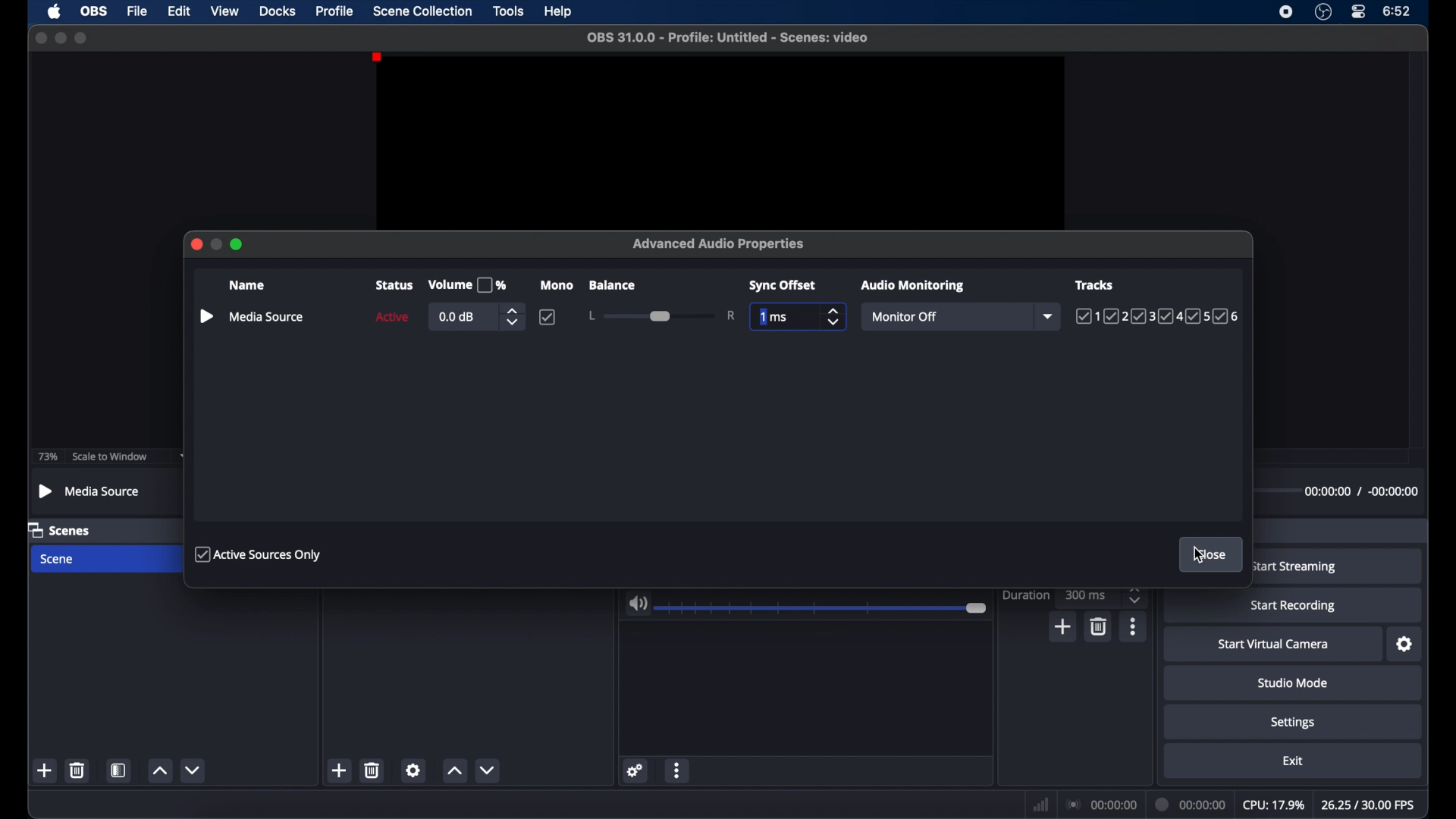 This screenshot has width=1456, height=819. Describe the element at coordinates (49, 456) in the screenshot. I see `73%` at that location.